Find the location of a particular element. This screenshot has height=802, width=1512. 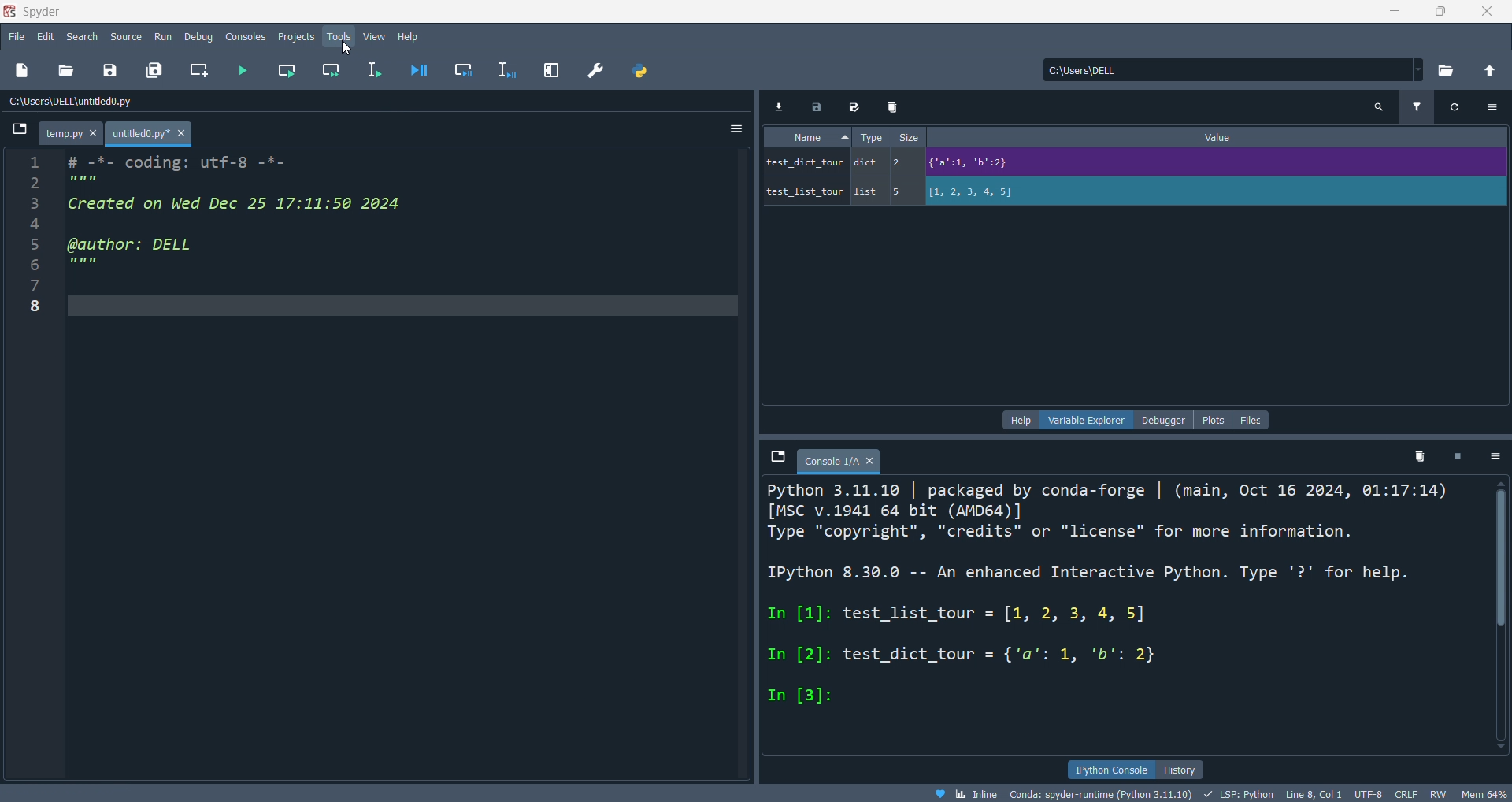

cursor is located at coordinates (346, 48).